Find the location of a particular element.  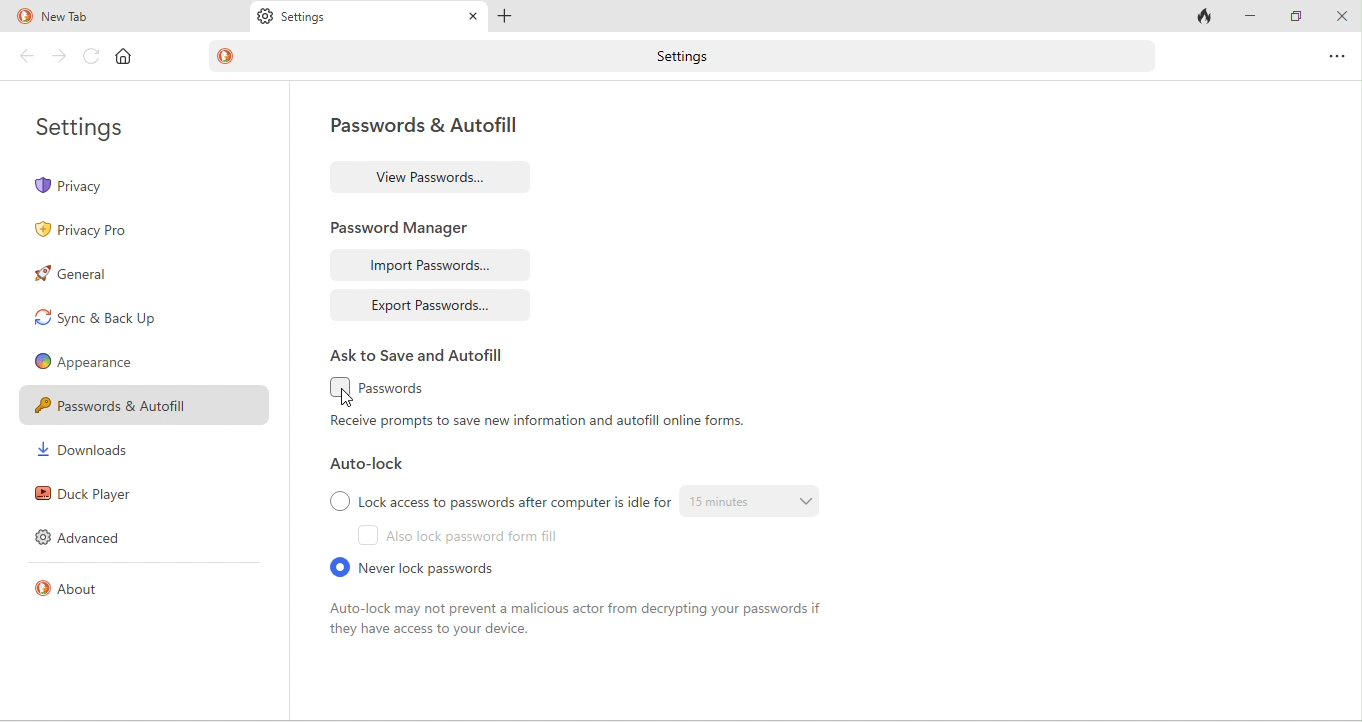

export passwords is located at coordinates (430, 304).